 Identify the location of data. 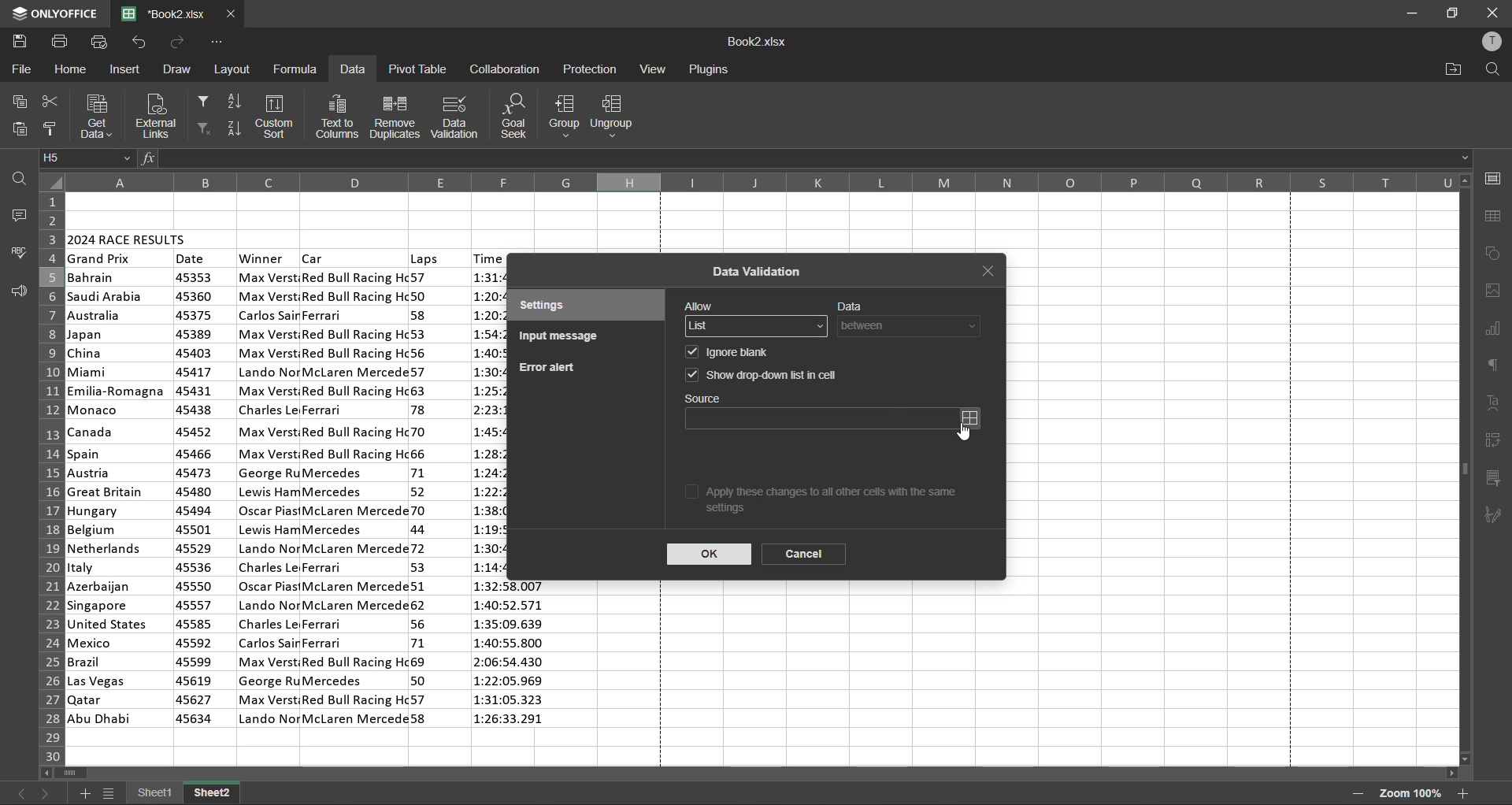
(352, 71).